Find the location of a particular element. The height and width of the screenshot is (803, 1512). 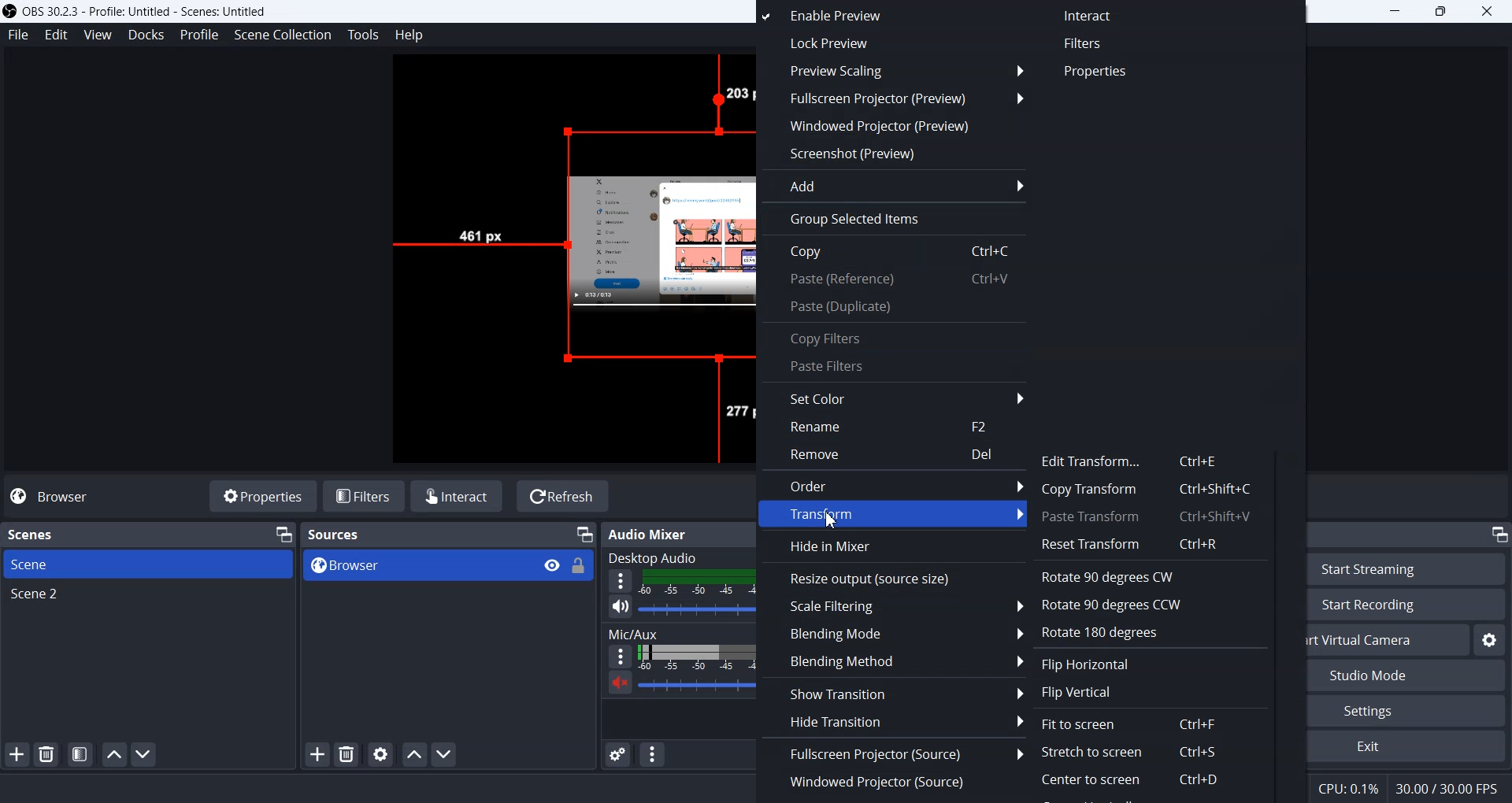

Cursor  is located at coordinates (834, 518).